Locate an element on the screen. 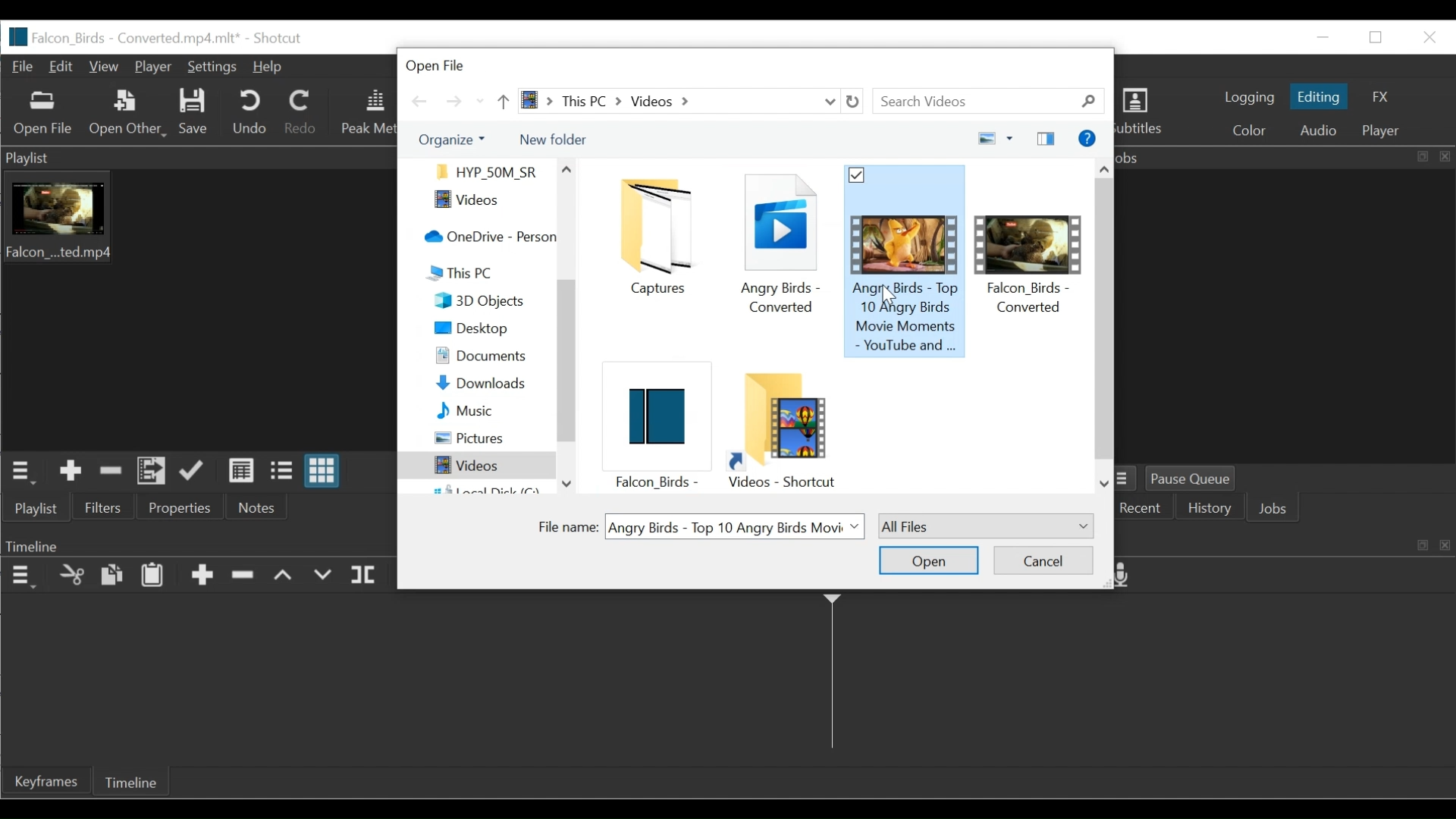  Ripple Delete is located at coordinates (245, 579).